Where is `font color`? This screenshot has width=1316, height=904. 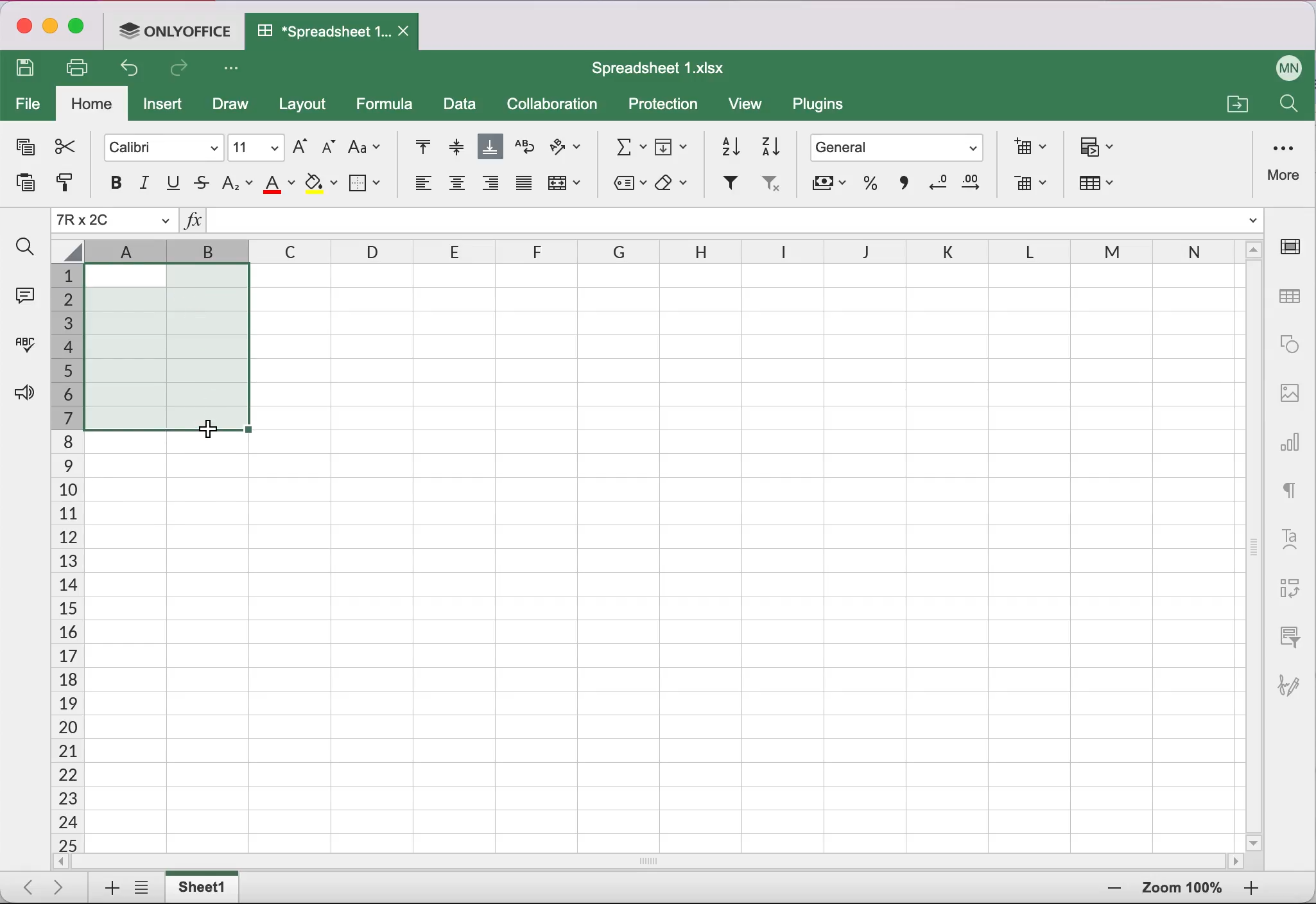 font color is located at coordinates (280, 184).